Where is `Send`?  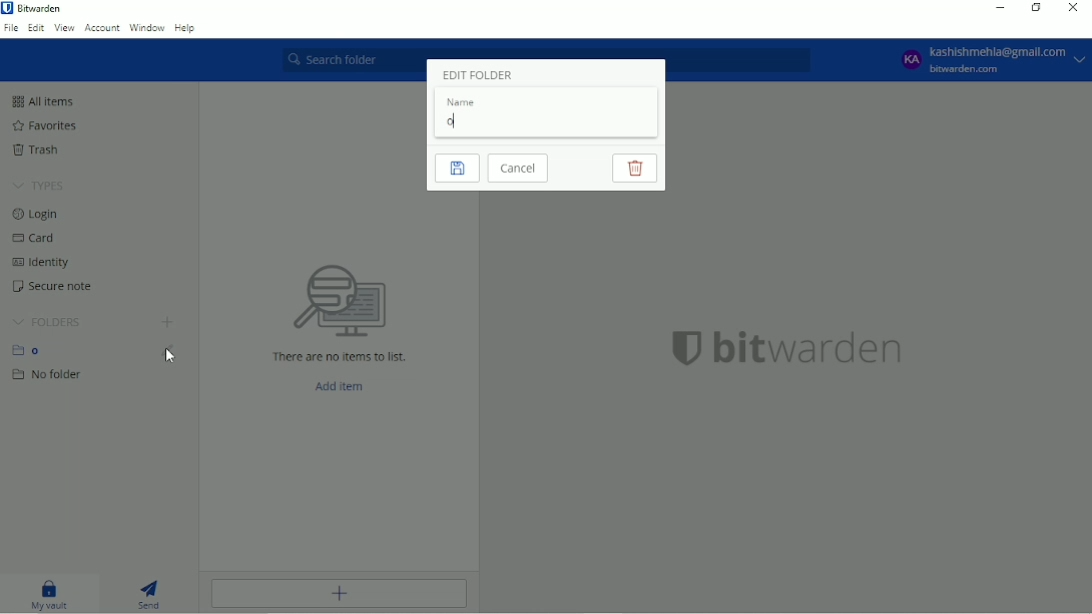
Send is located at coordinates (155, 594).